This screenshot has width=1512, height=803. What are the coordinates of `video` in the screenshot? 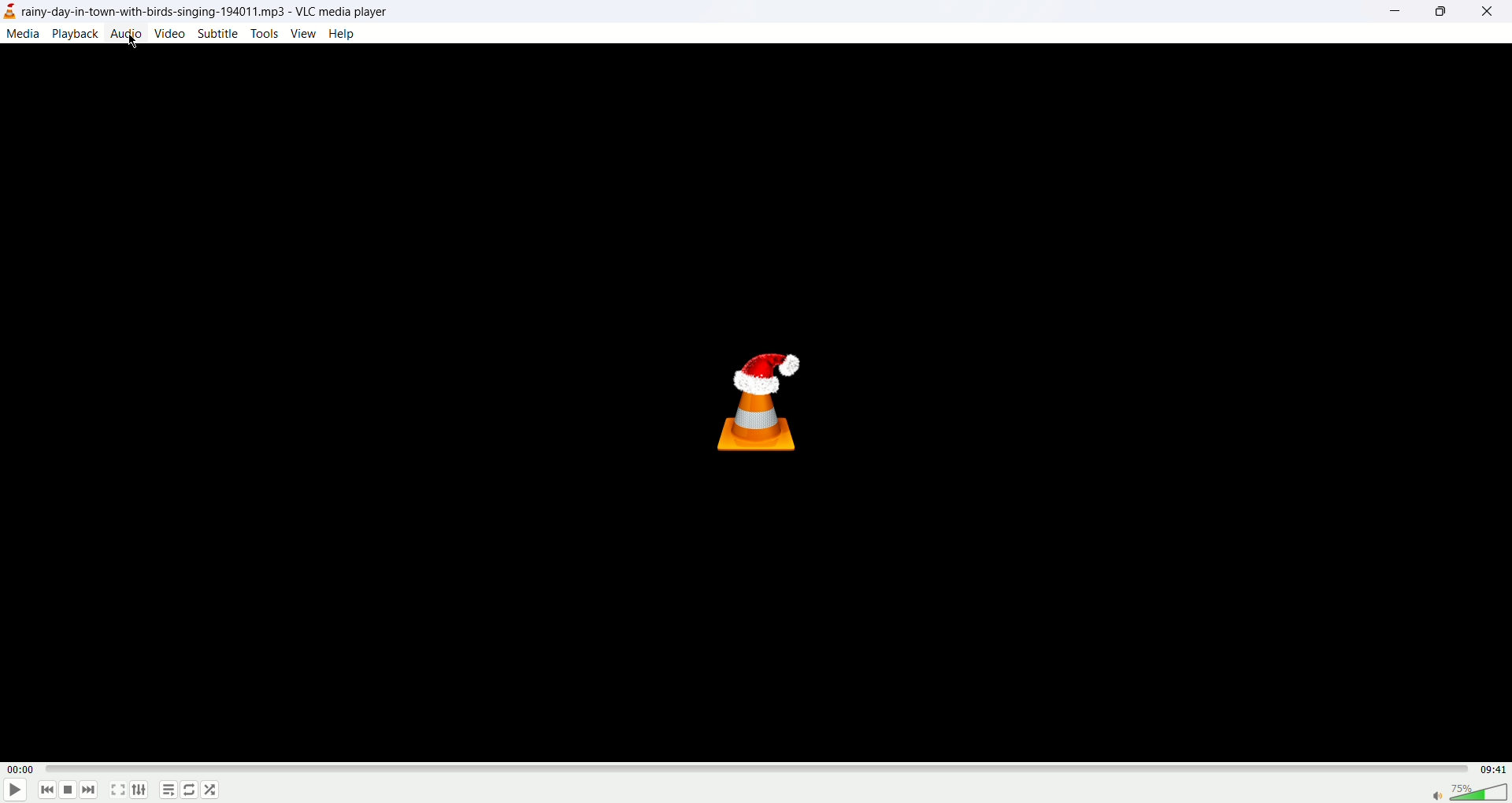 It's located at (169, 33).